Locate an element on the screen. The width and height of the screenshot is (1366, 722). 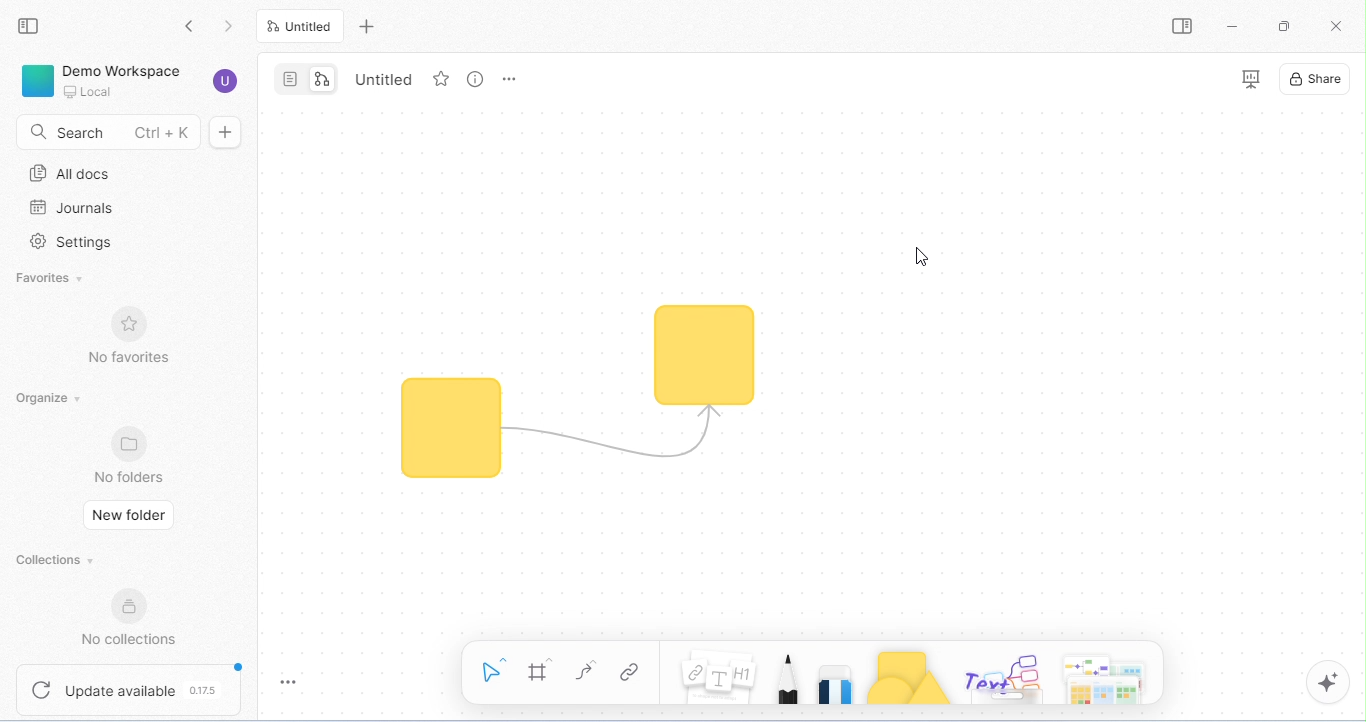
no collections is located at coordinates (137, 620).